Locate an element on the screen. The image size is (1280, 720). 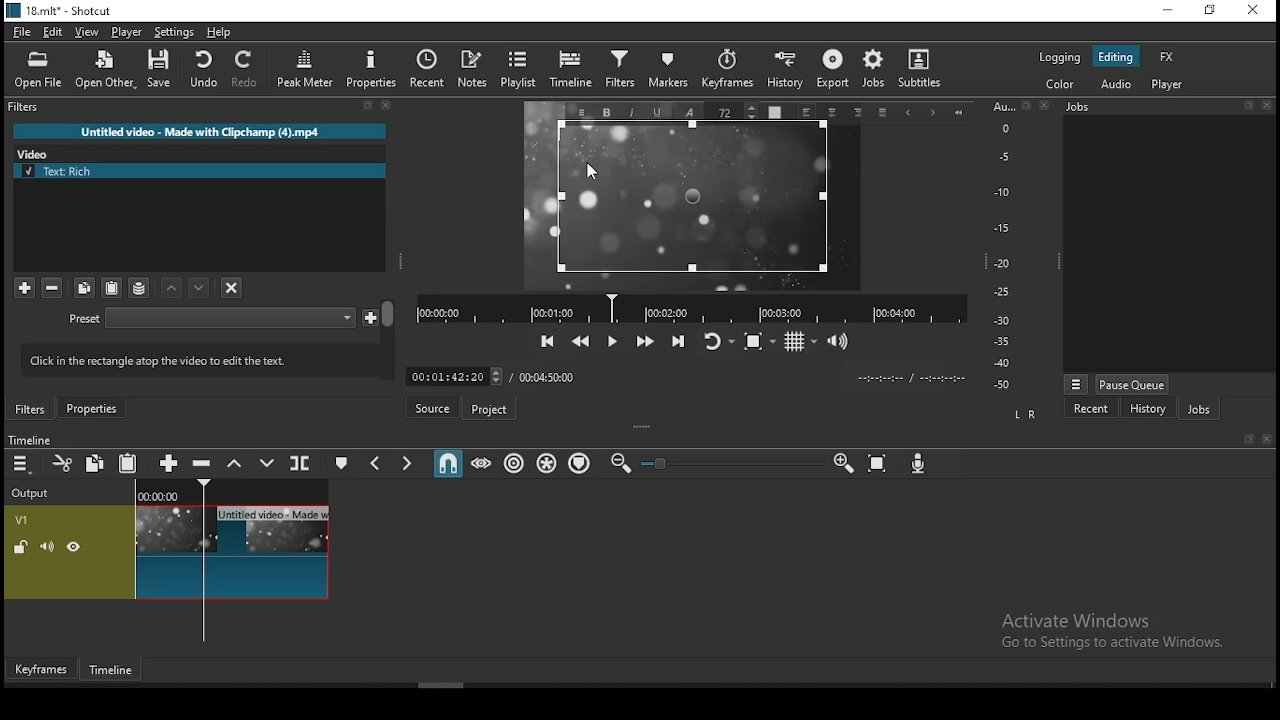
Detach is located at coordinates (1248, 105).